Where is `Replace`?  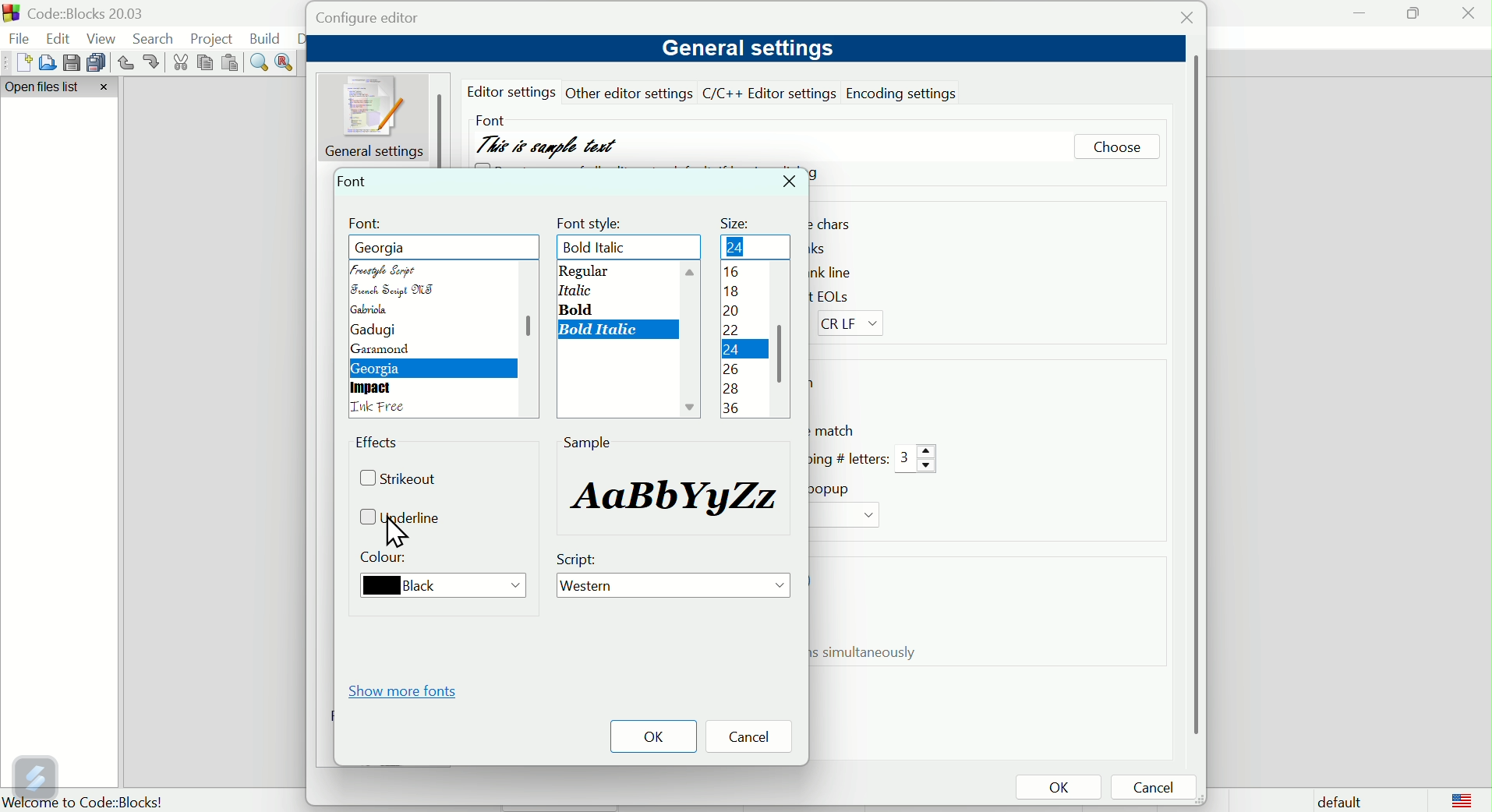 Replace is located at coordinates (286, 61).